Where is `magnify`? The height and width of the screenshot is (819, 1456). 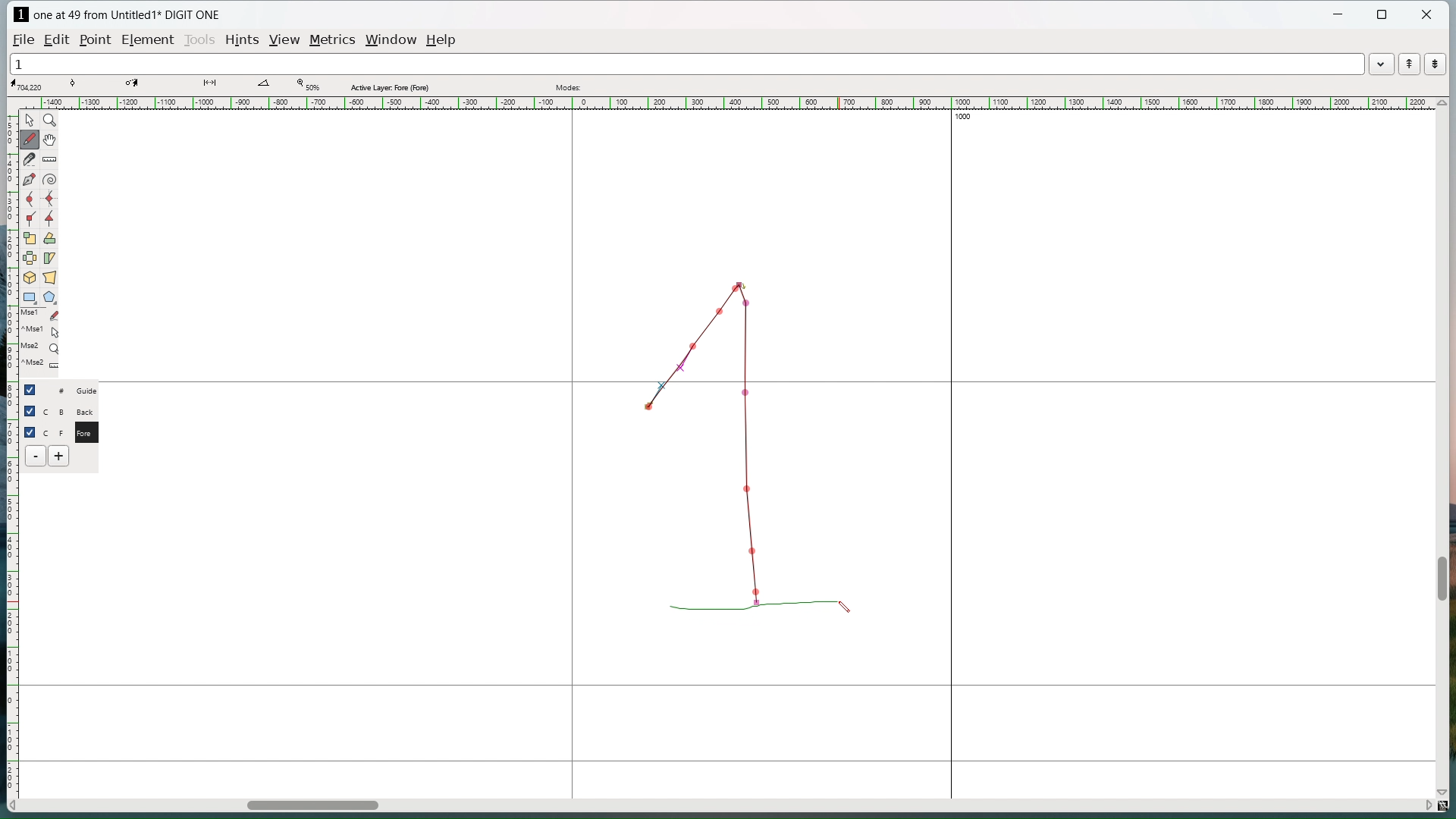
magnify is located at coordinates (50, 120).